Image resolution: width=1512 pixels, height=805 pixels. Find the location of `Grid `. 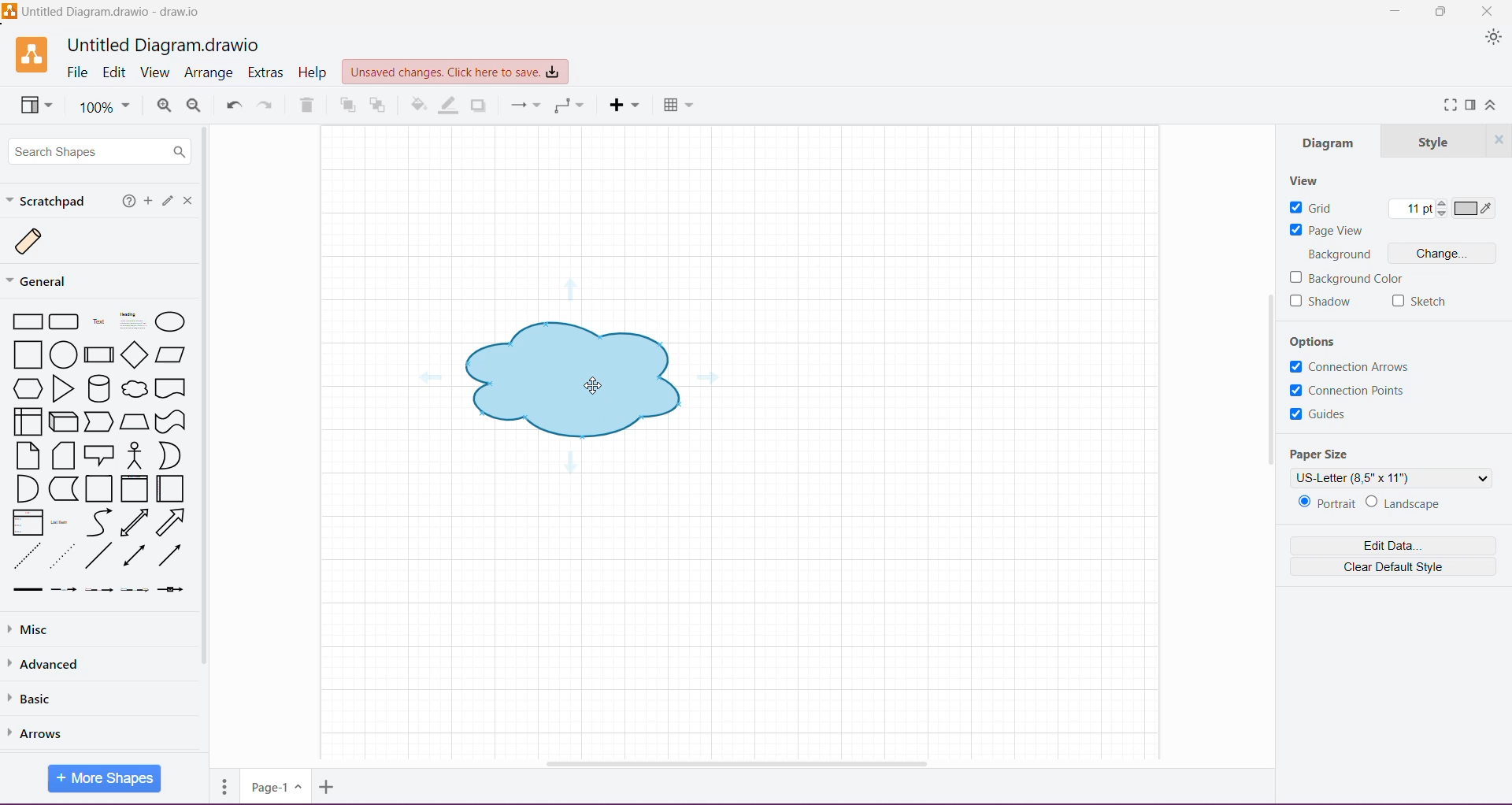

Grid  is located at coordinates (1315, 208).